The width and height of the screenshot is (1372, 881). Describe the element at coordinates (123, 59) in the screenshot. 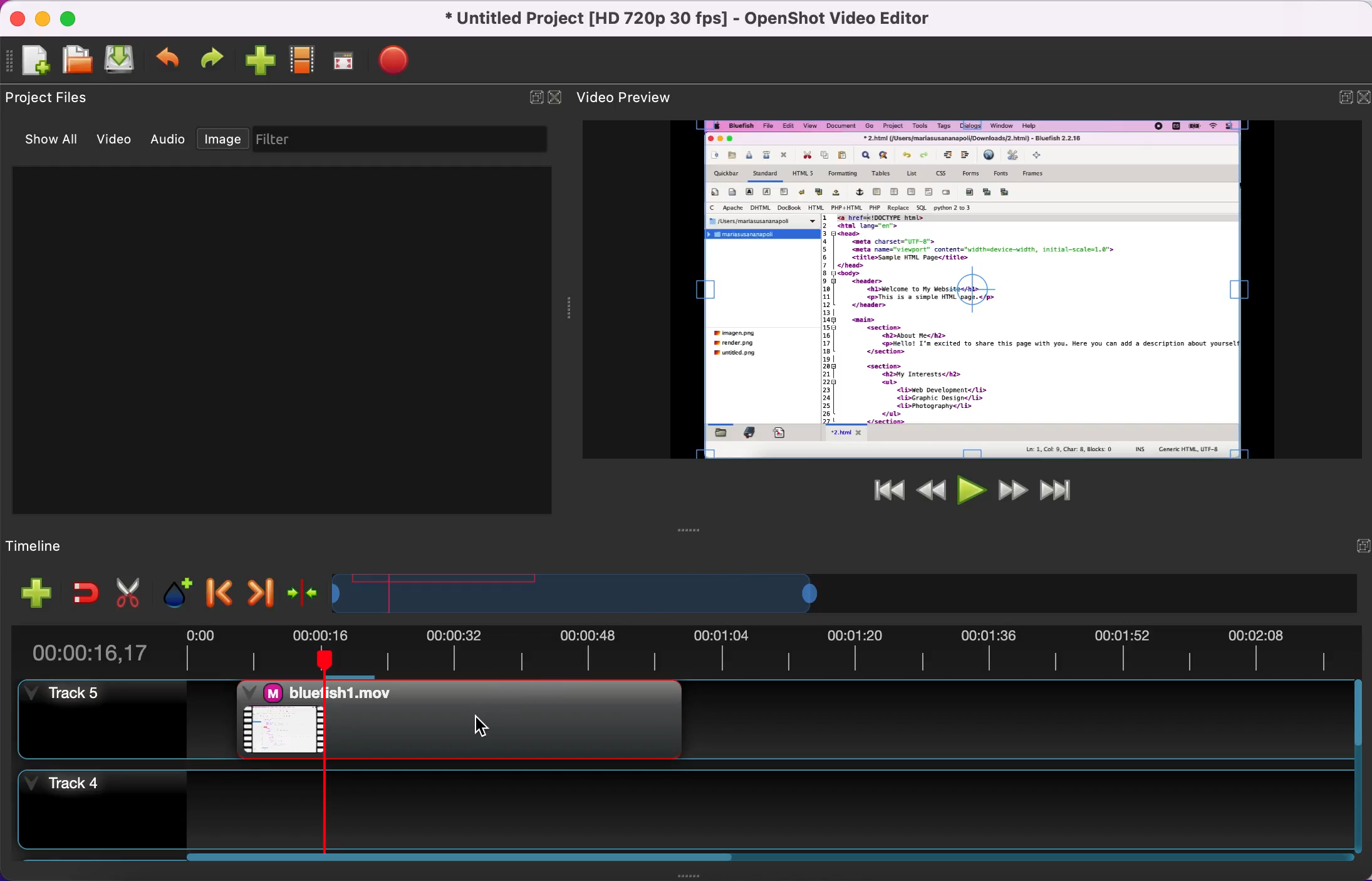

I see `save project` at that location.